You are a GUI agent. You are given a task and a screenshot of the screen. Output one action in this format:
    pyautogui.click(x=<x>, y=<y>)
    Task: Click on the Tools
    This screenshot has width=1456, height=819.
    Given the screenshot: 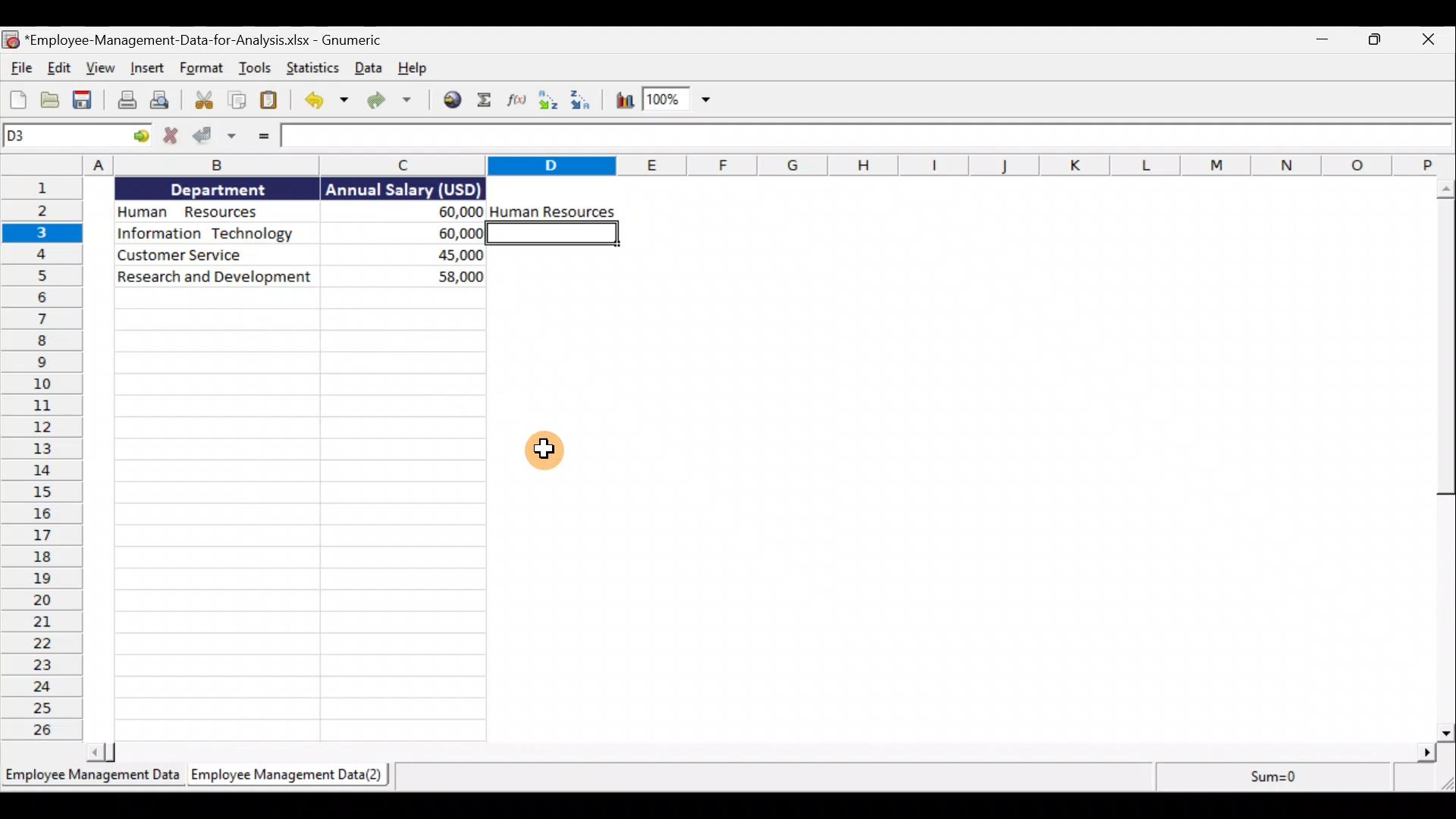 What is the action you would take?
    pyautogui.click(x=258, y=68)
    